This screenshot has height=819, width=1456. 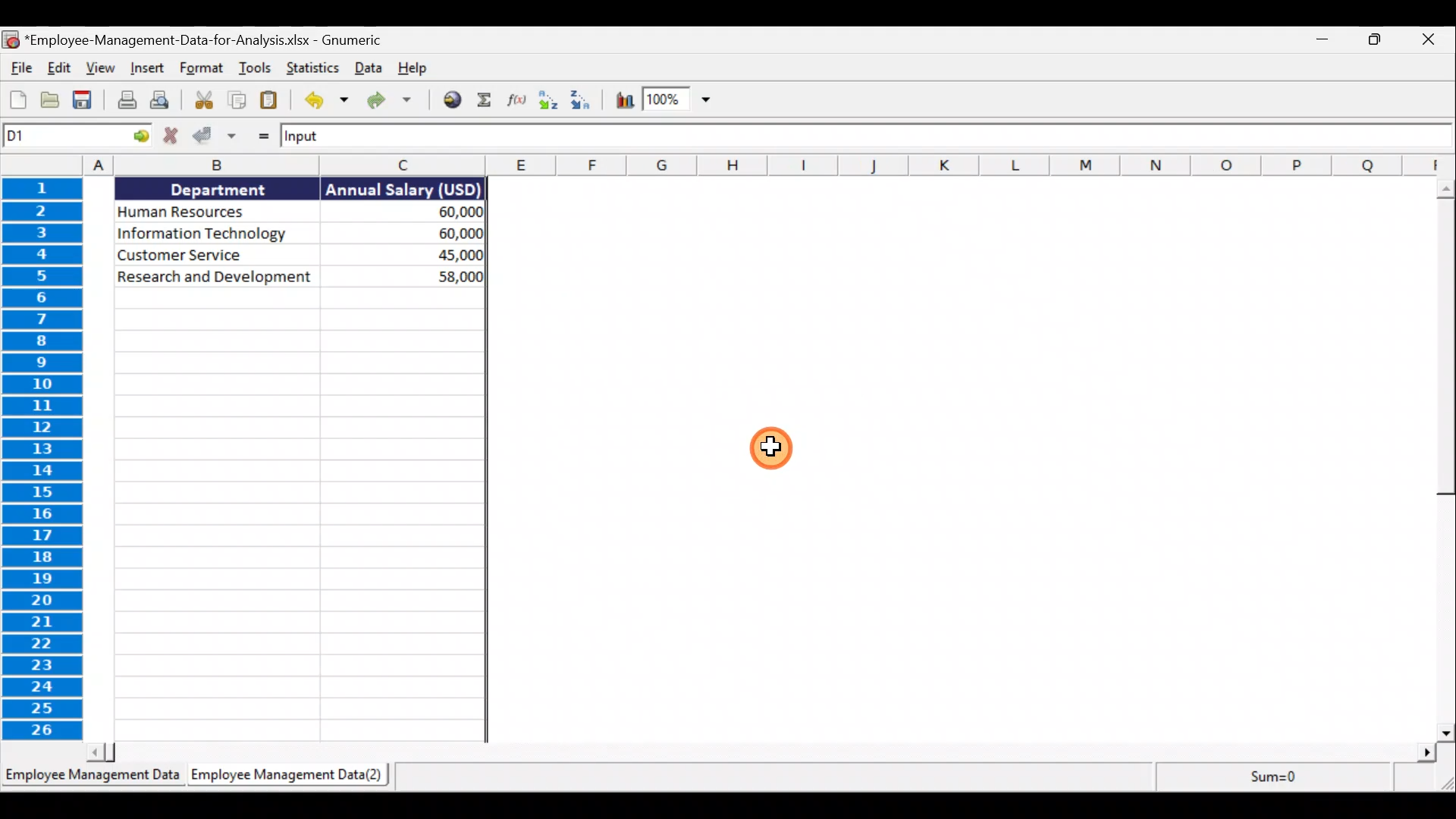 I want to click on Formula bar, so click(x=871, y=137).